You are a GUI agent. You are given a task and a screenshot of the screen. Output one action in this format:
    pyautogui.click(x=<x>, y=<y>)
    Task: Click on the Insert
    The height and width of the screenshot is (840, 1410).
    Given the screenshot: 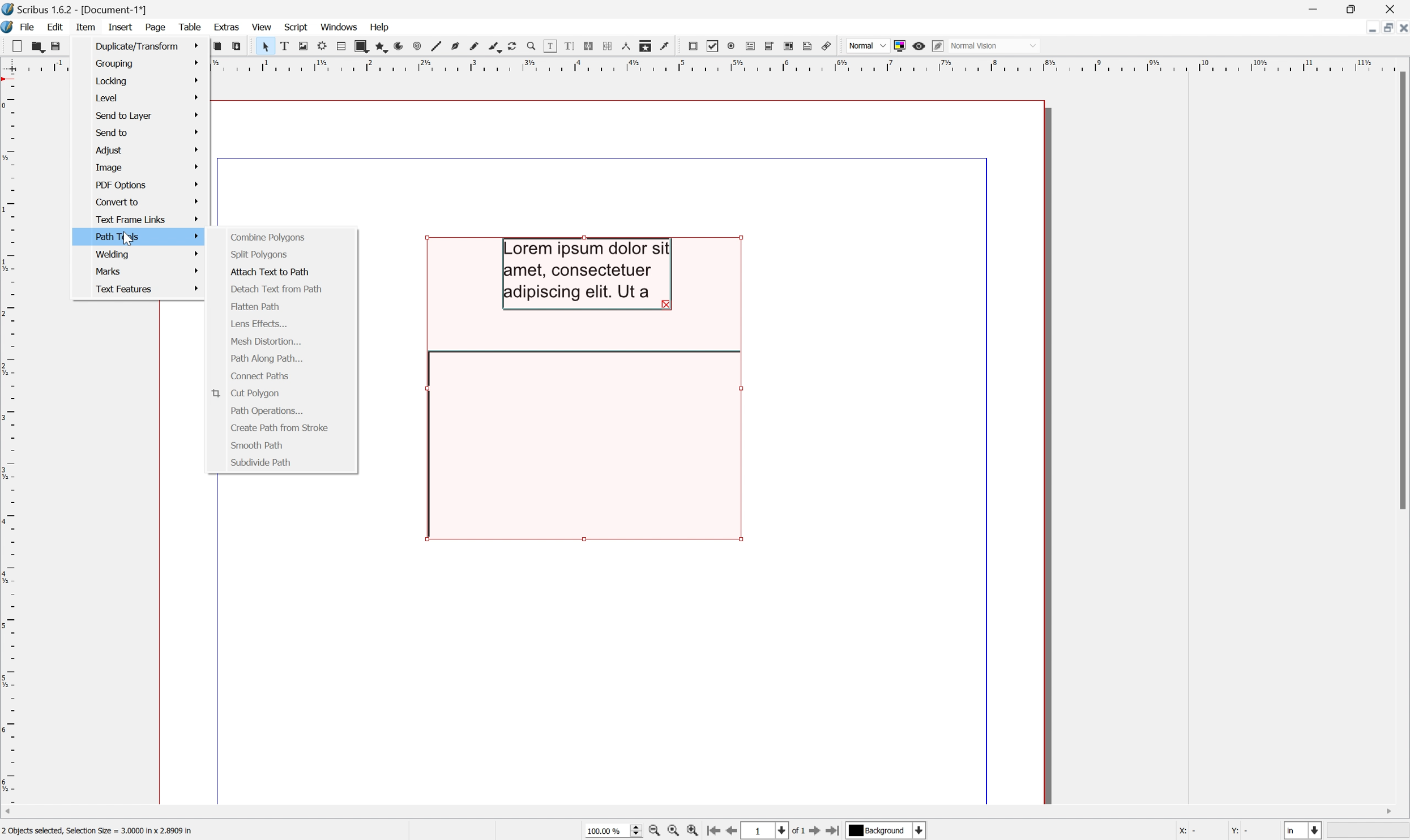 What is the action you would take?
    pyautogui.click(x=119, y=26)
    